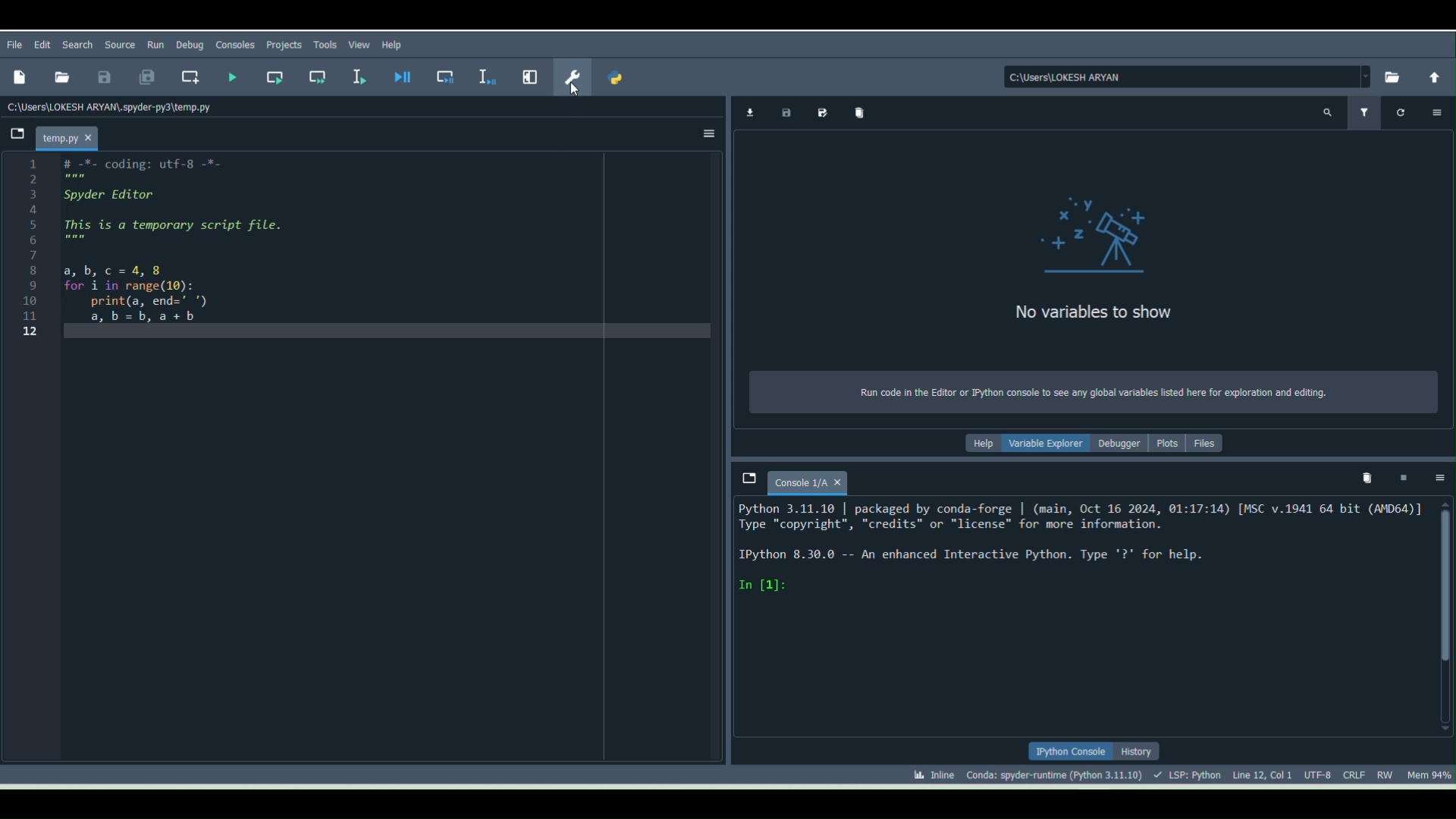  Describe the element at coordinates (18, 77) in the screenshot. I see `New File(Ctrl + N)` at that location.